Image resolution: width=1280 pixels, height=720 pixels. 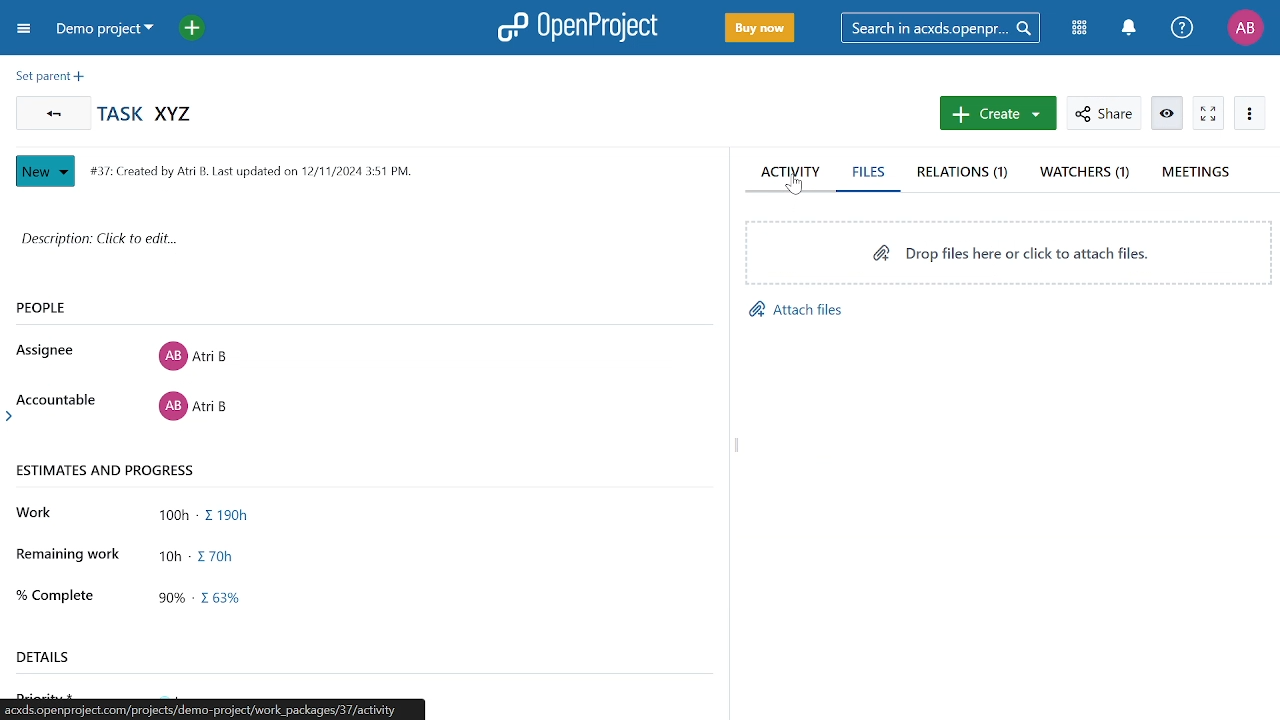 I want to click on location, so click(x=202, y=710).